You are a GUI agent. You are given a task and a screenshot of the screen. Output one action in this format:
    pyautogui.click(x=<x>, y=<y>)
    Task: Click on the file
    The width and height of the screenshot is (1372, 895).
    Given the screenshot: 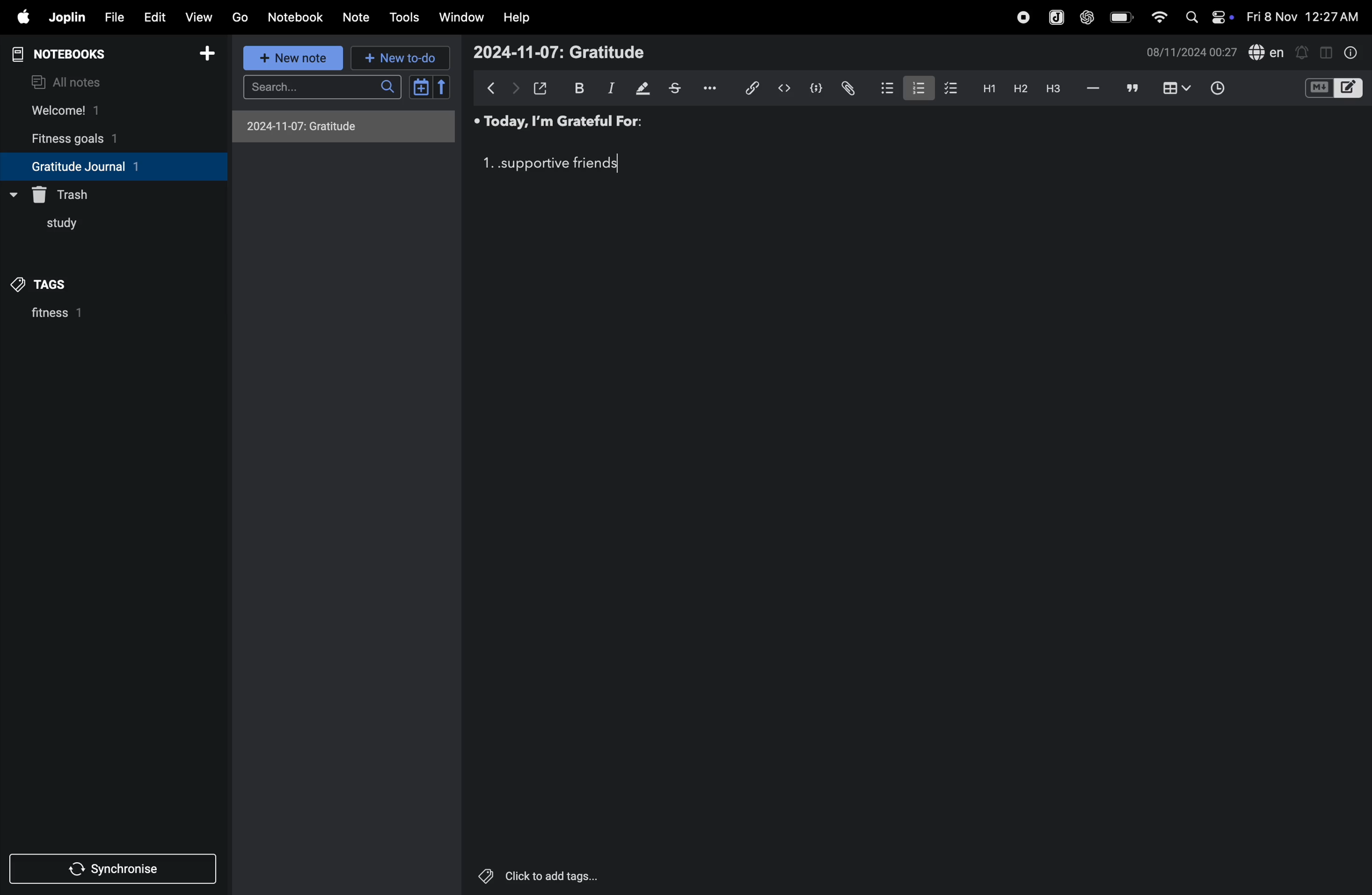 What is the action you would take?
    pyautogui.click(x=114, y=17)
    